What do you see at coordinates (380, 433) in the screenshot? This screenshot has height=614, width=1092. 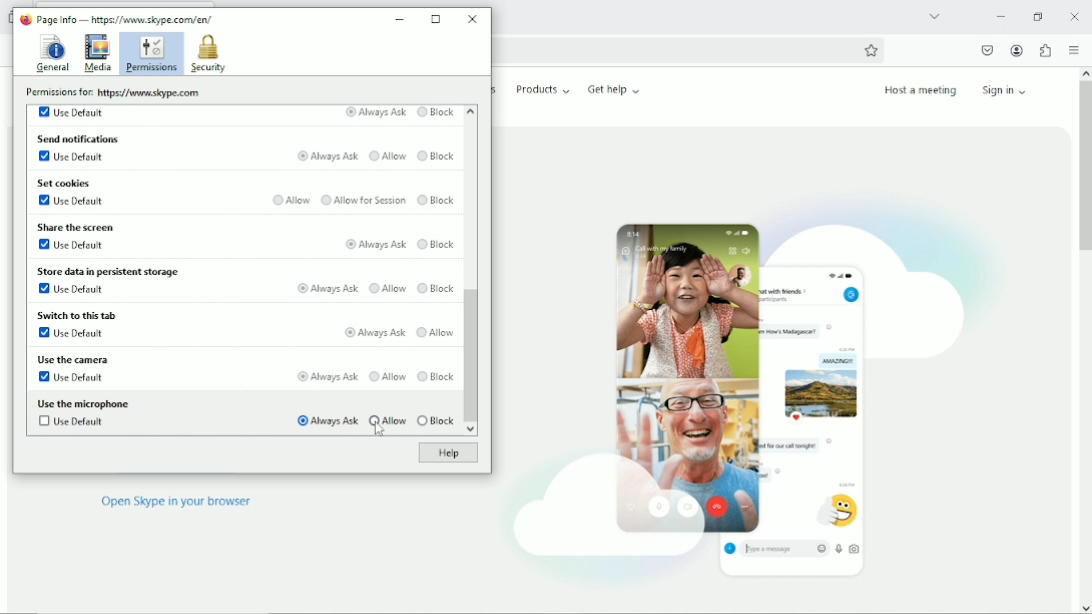 I see `Cursor` at bounding box center [380, 433].